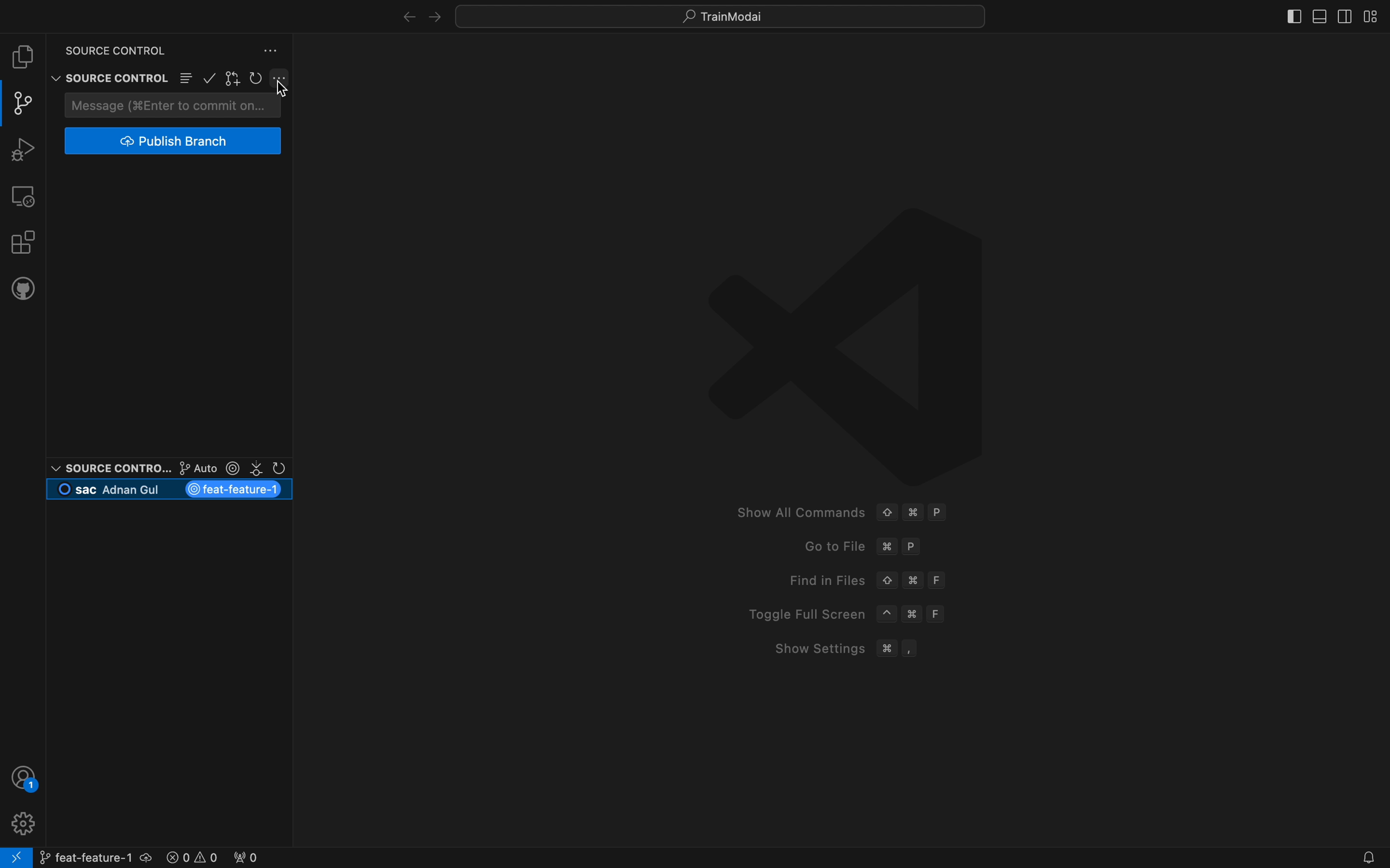 This screenshot has height=868, width=1390. What do you see at coordinates (22, 241) in the screenshot?
I see `extensions` at bounding box center [22, 241].